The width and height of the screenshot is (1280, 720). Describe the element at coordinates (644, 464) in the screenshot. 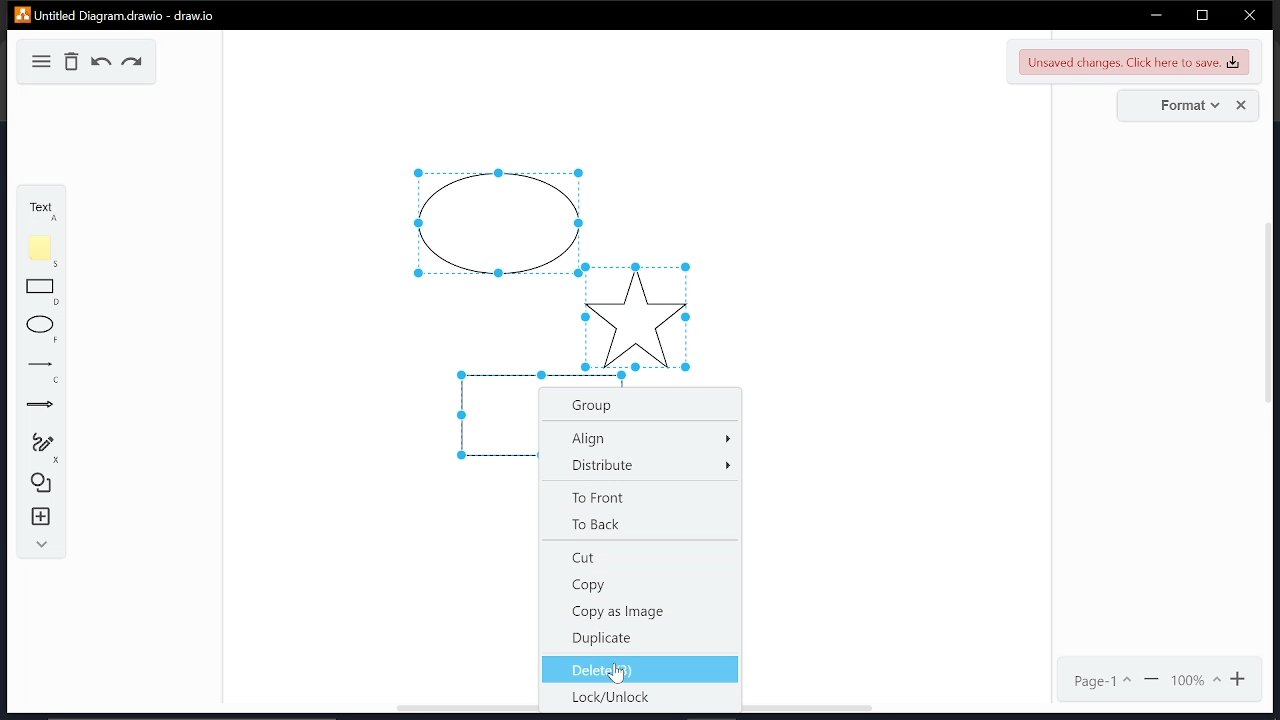

I see `distribute` at that location.